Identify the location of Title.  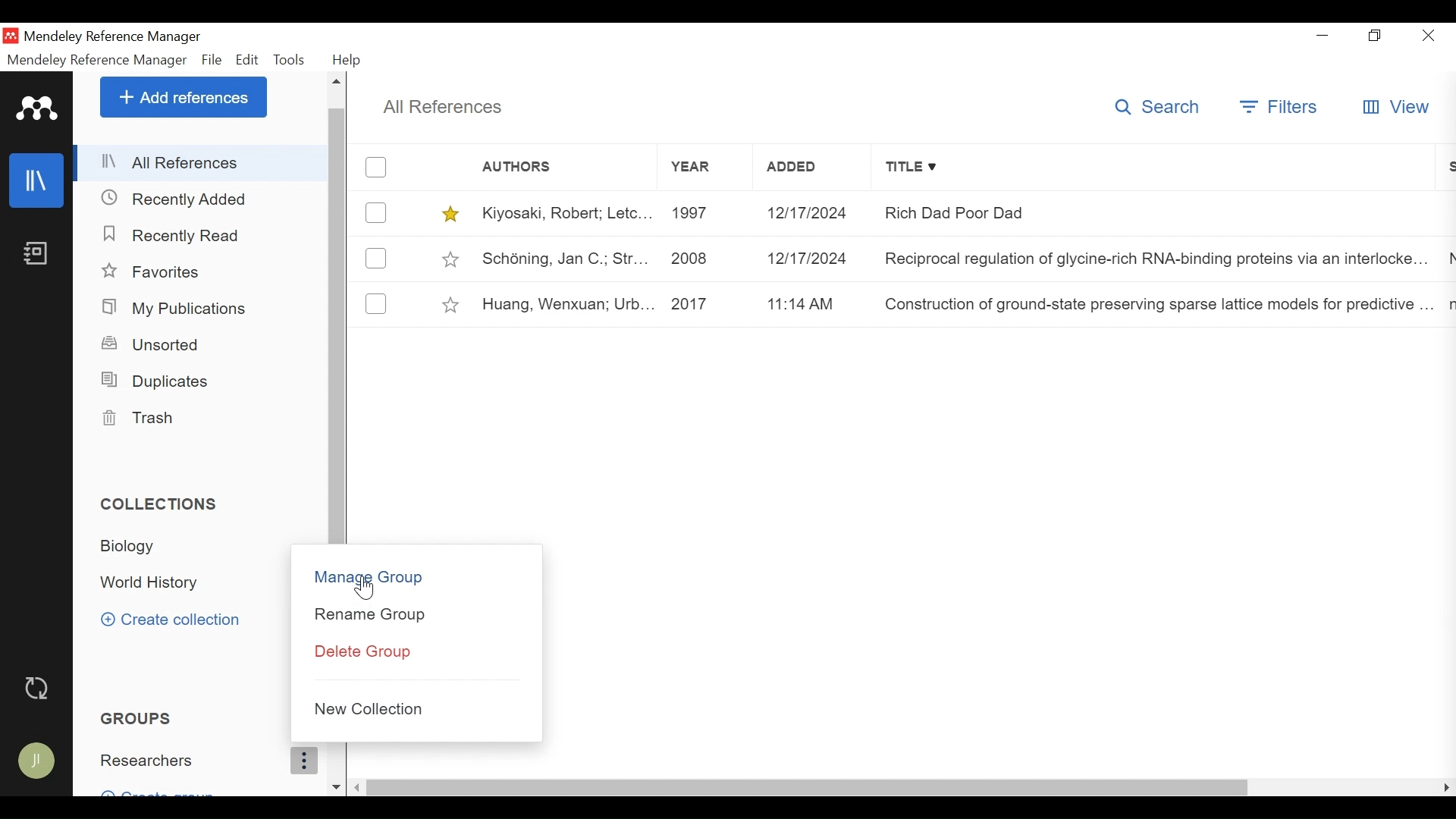
(1156, 168).